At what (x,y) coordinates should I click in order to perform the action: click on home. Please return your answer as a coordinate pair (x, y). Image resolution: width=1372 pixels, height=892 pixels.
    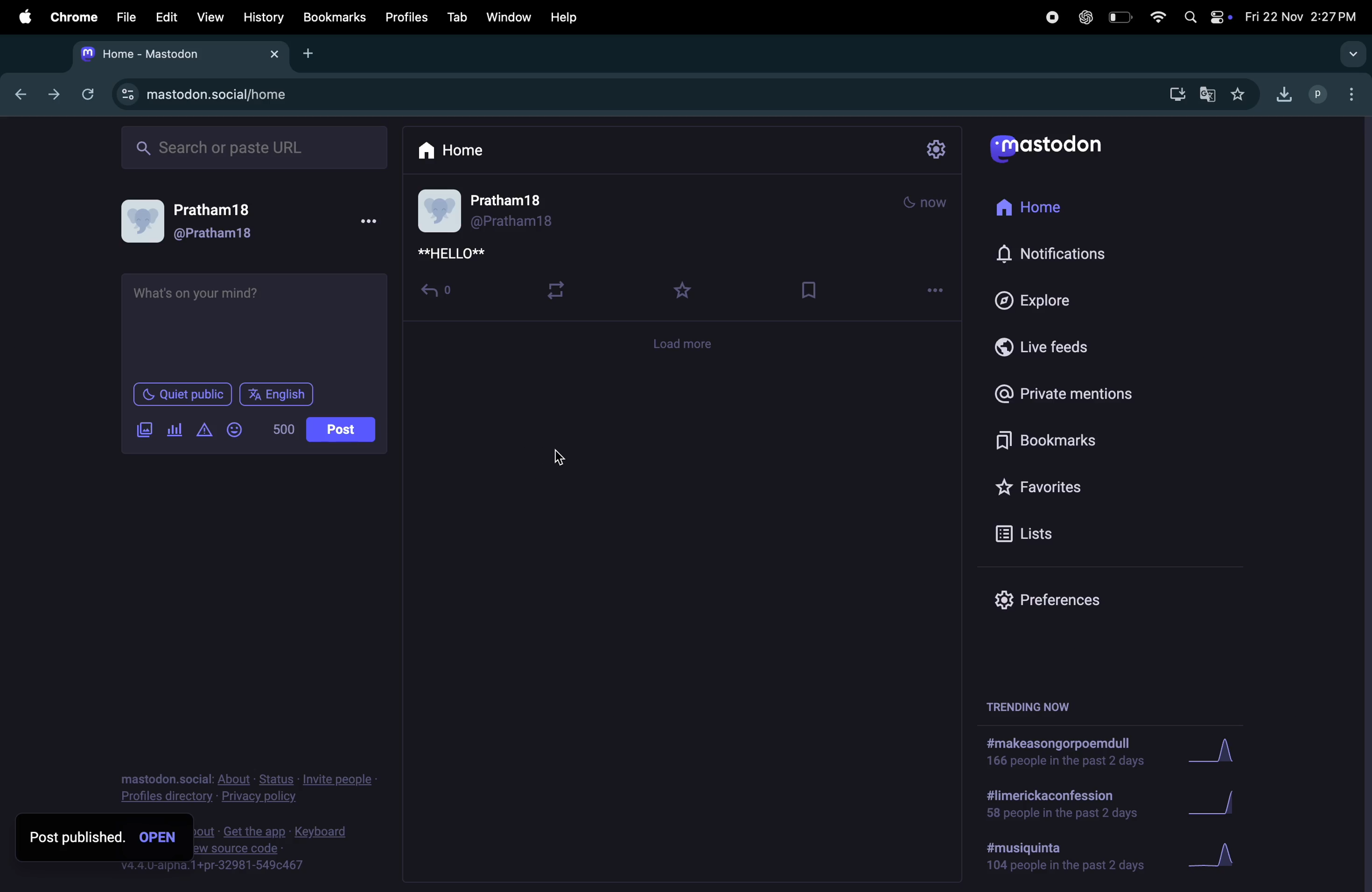
    Looking at the image, I should click on (1048, 206).